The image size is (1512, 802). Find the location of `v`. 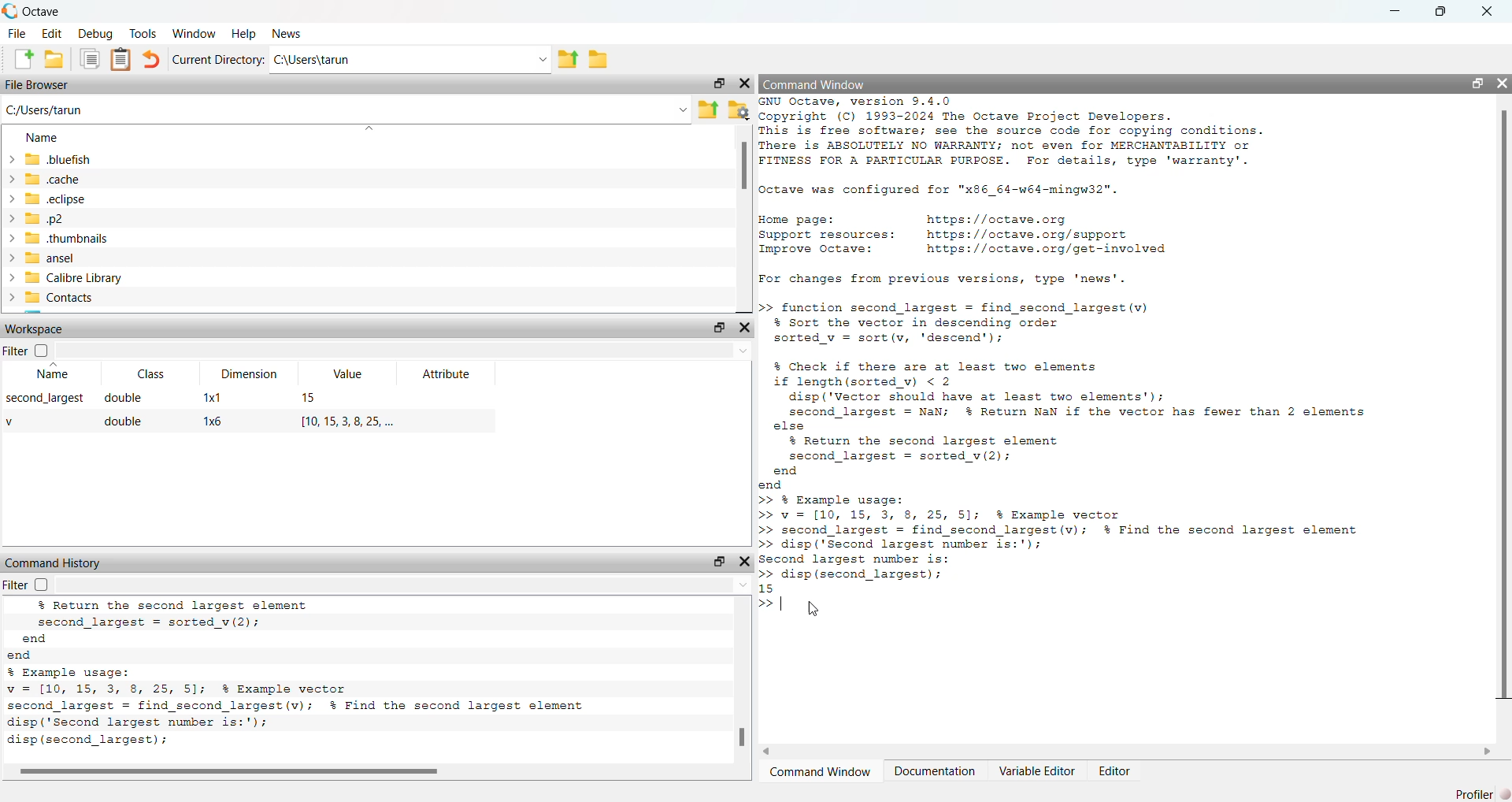

v is located at coordinates (16, 419).